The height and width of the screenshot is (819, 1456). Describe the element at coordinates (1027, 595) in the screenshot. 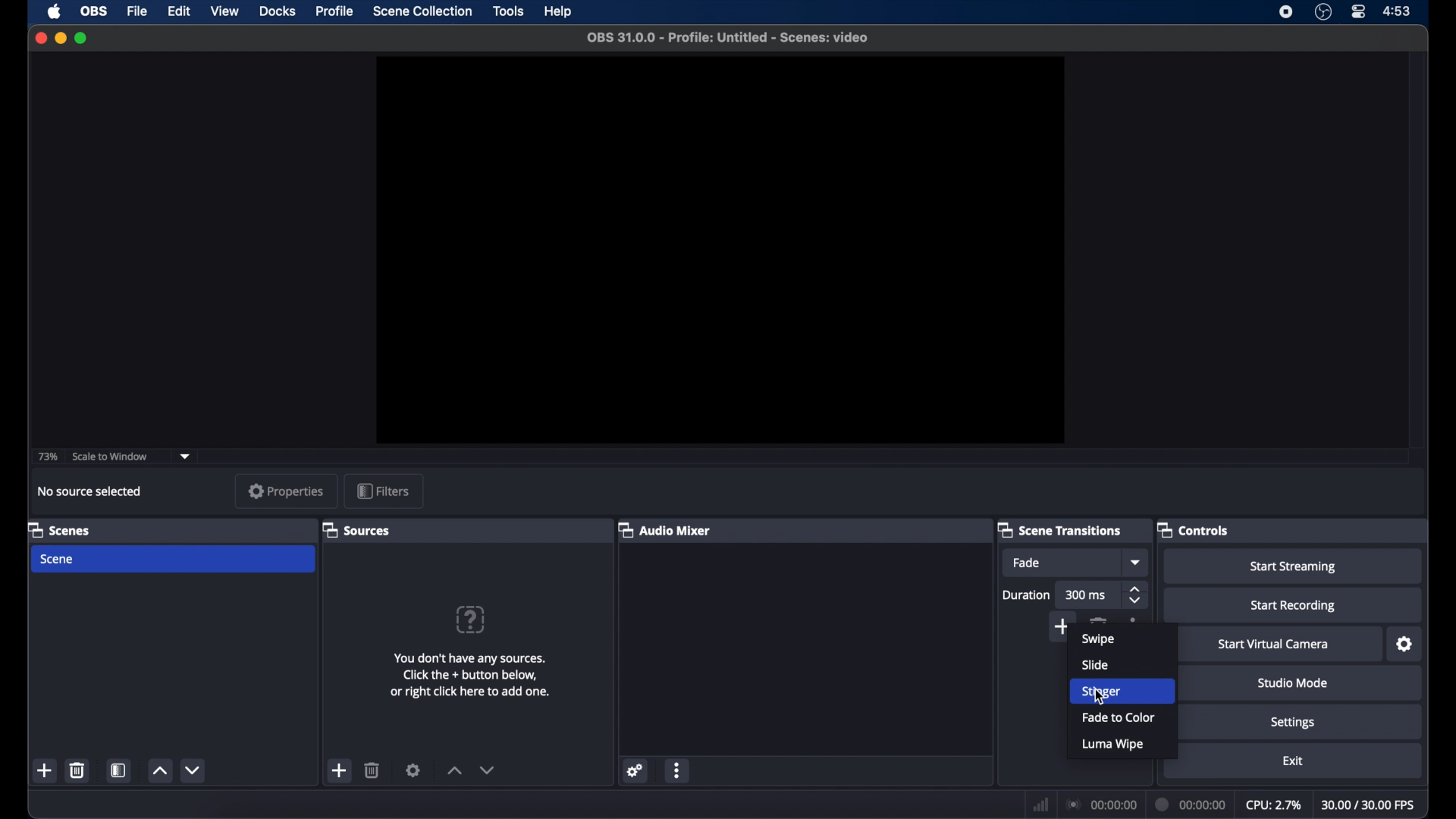

I see `duration` at that location.